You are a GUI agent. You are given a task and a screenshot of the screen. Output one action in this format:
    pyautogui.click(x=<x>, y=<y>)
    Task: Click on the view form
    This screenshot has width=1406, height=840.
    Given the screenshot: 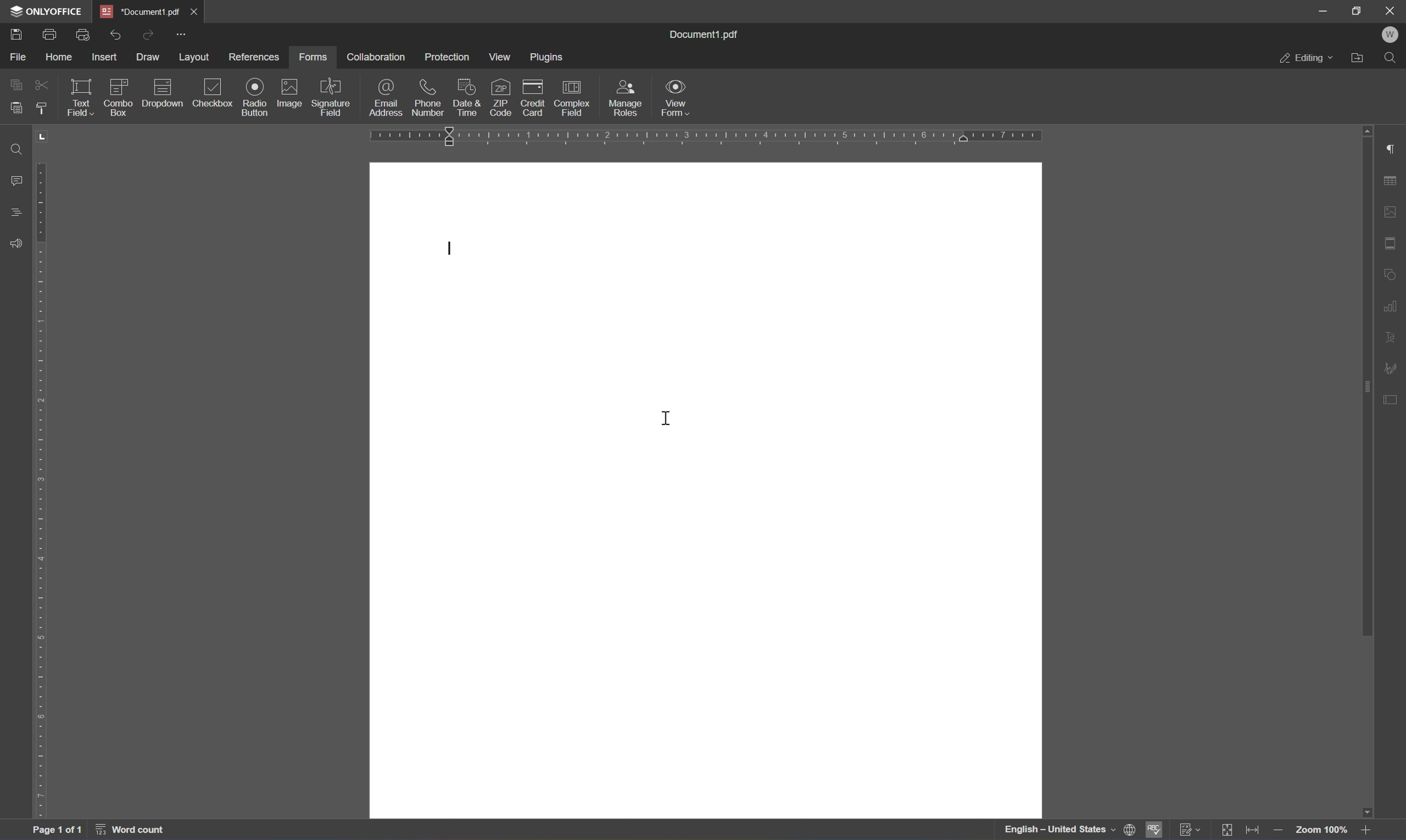 What is the action you would take?
    pyautogui.click(x=677, y=98)
    